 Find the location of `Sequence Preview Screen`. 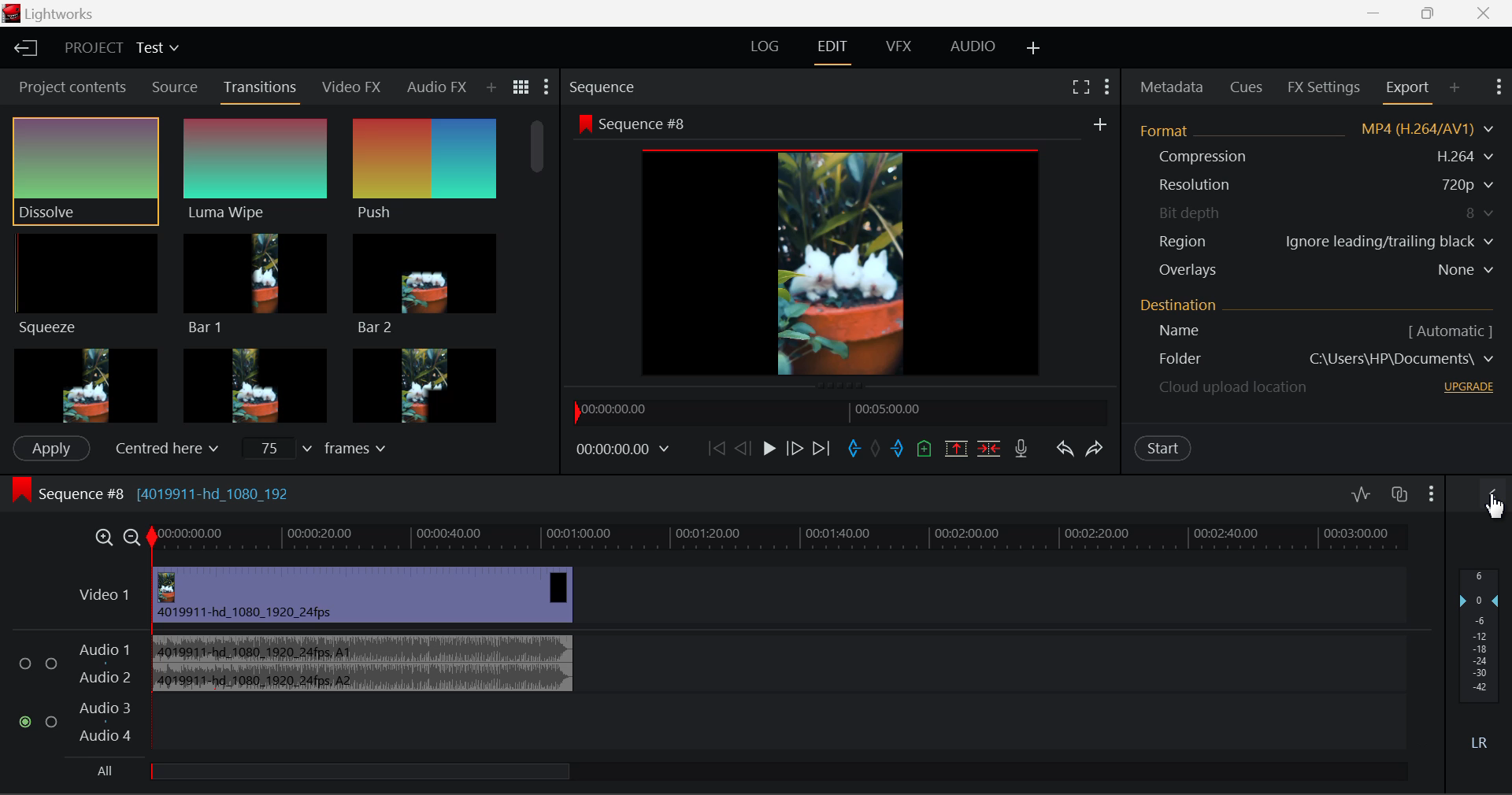

Sequence Preview Screen is located at coordinates (843, 247).